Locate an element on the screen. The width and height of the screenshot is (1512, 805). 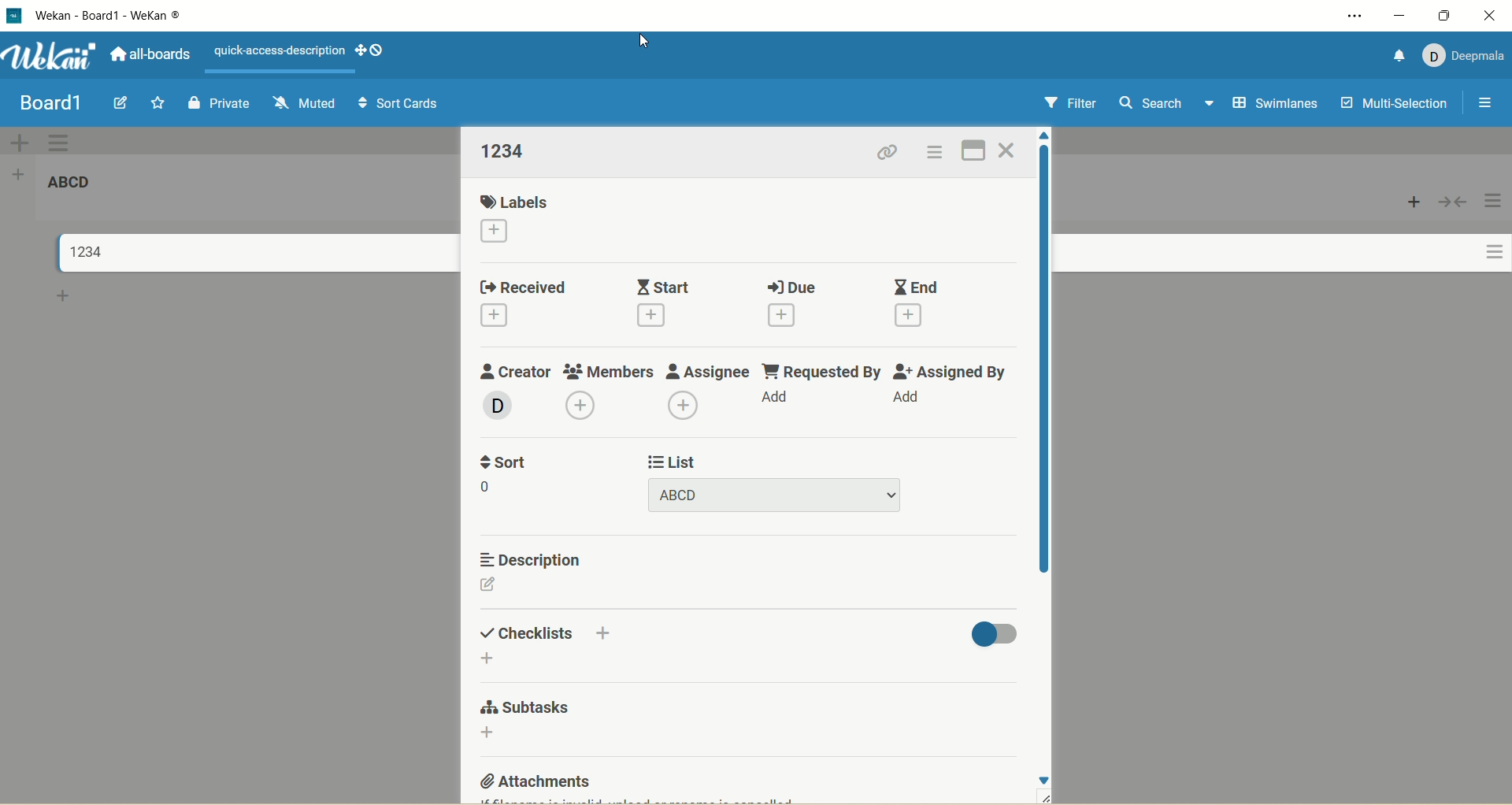
add swimlane is located at coordinates (23, 141).